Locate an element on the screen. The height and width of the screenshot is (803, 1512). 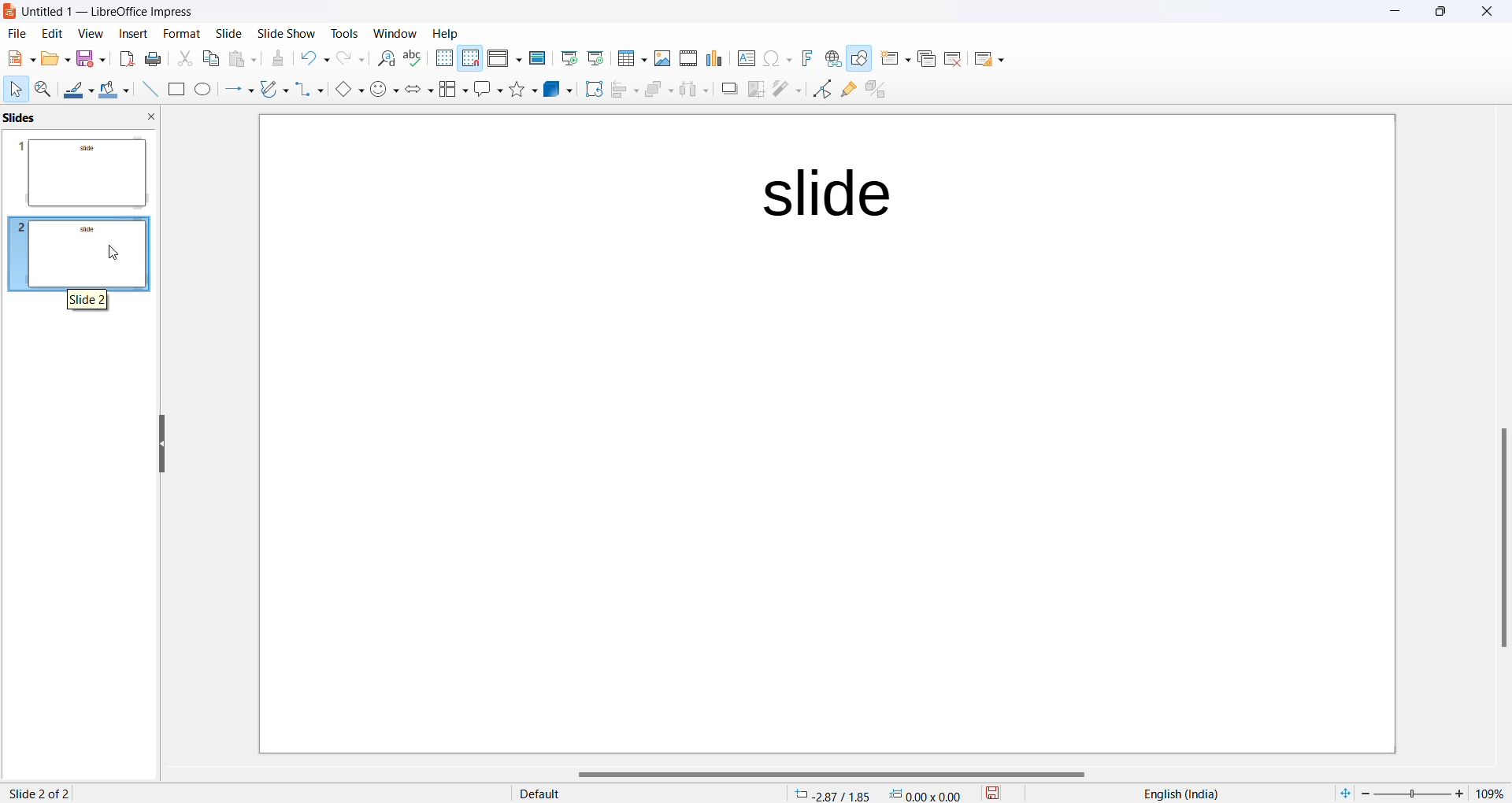
Help is located at coordinates (455, 33).